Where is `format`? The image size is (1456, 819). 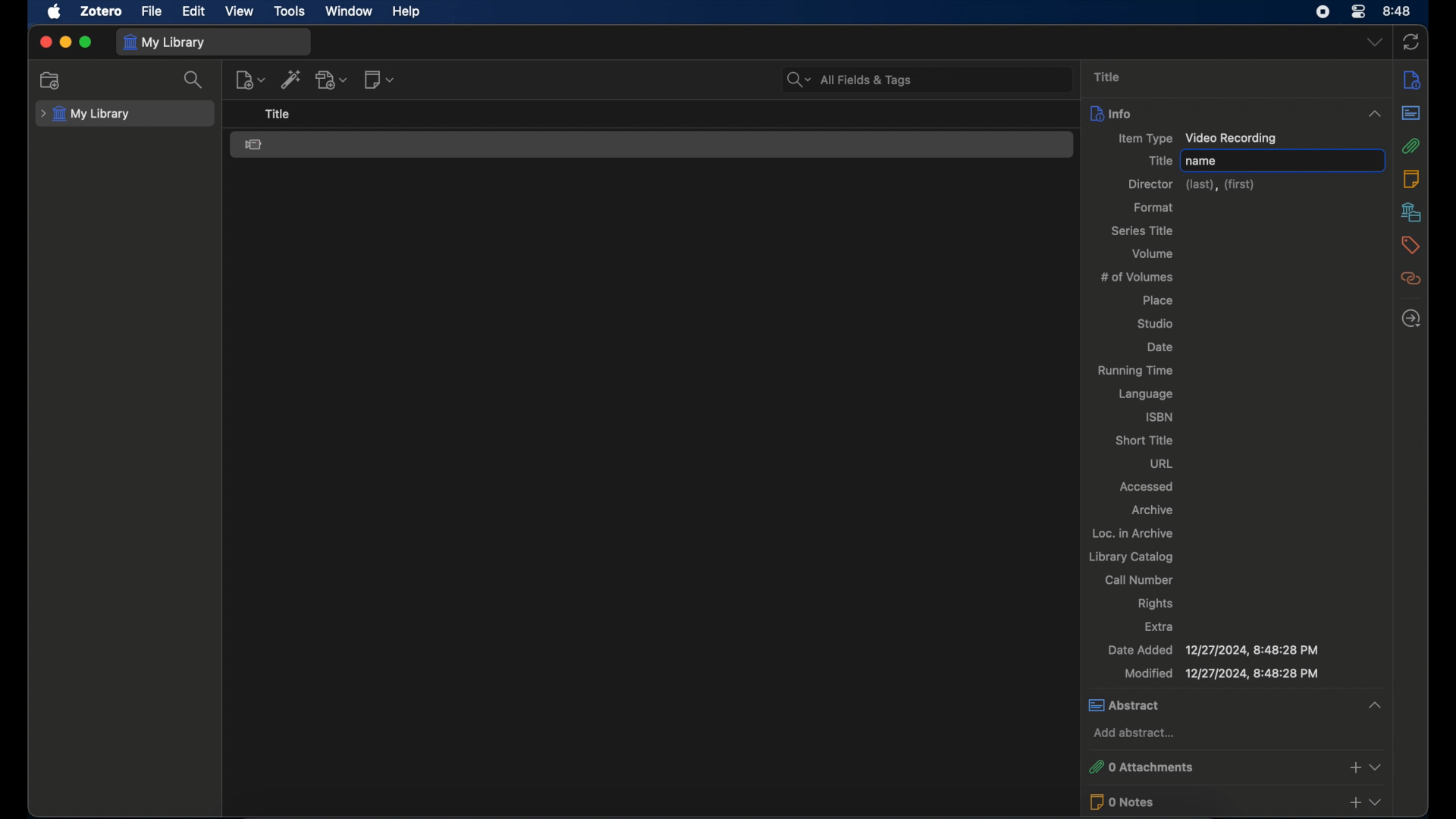
format is located at coordinates (1155, 208).